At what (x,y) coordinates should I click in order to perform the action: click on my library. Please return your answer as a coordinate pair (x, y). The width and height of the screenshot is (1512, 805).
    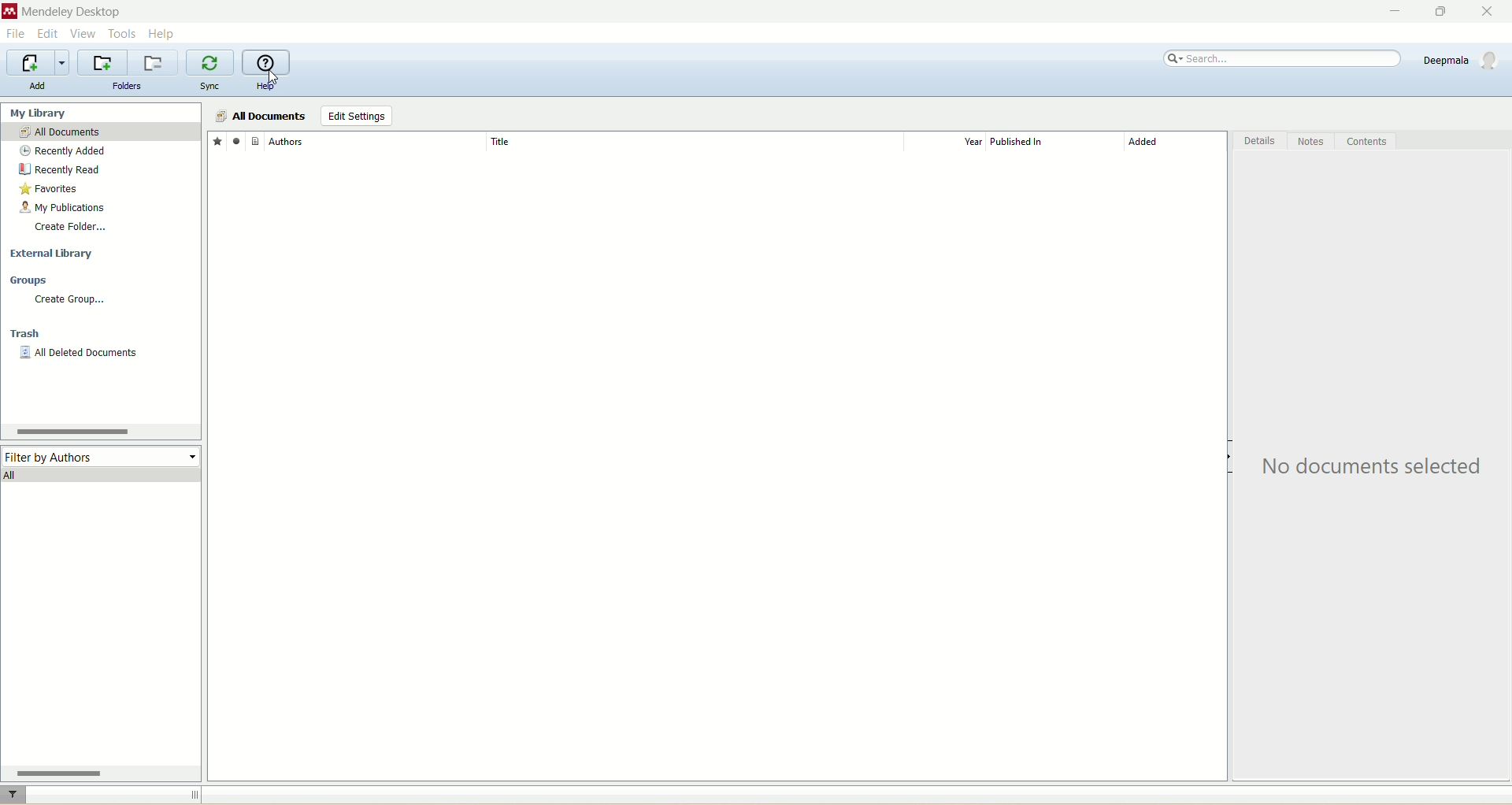
    Looking at the image, I should click on (42, 113).